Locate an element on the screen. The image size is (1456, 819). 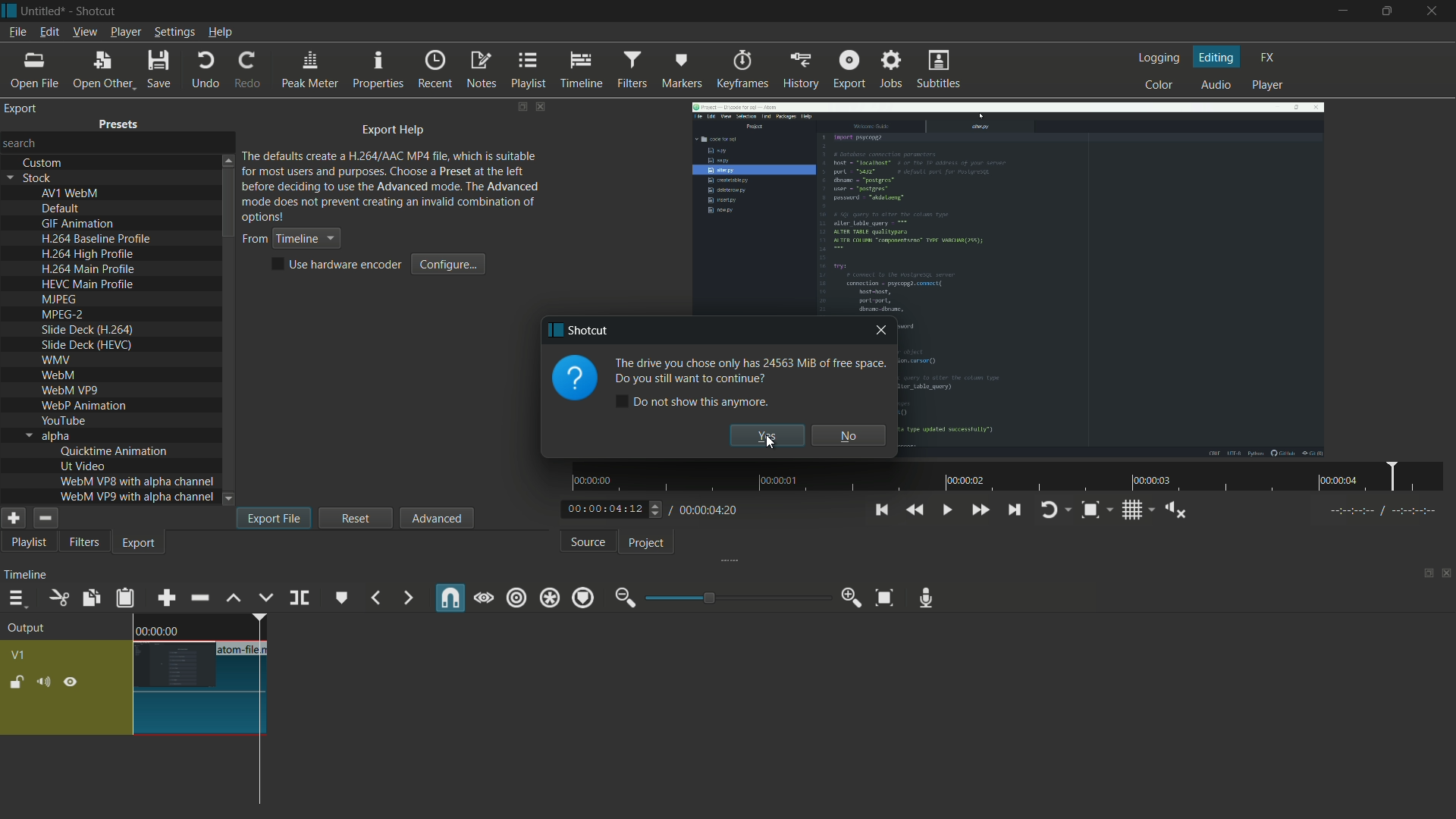
scroll up is located at coordinates (227, 159).